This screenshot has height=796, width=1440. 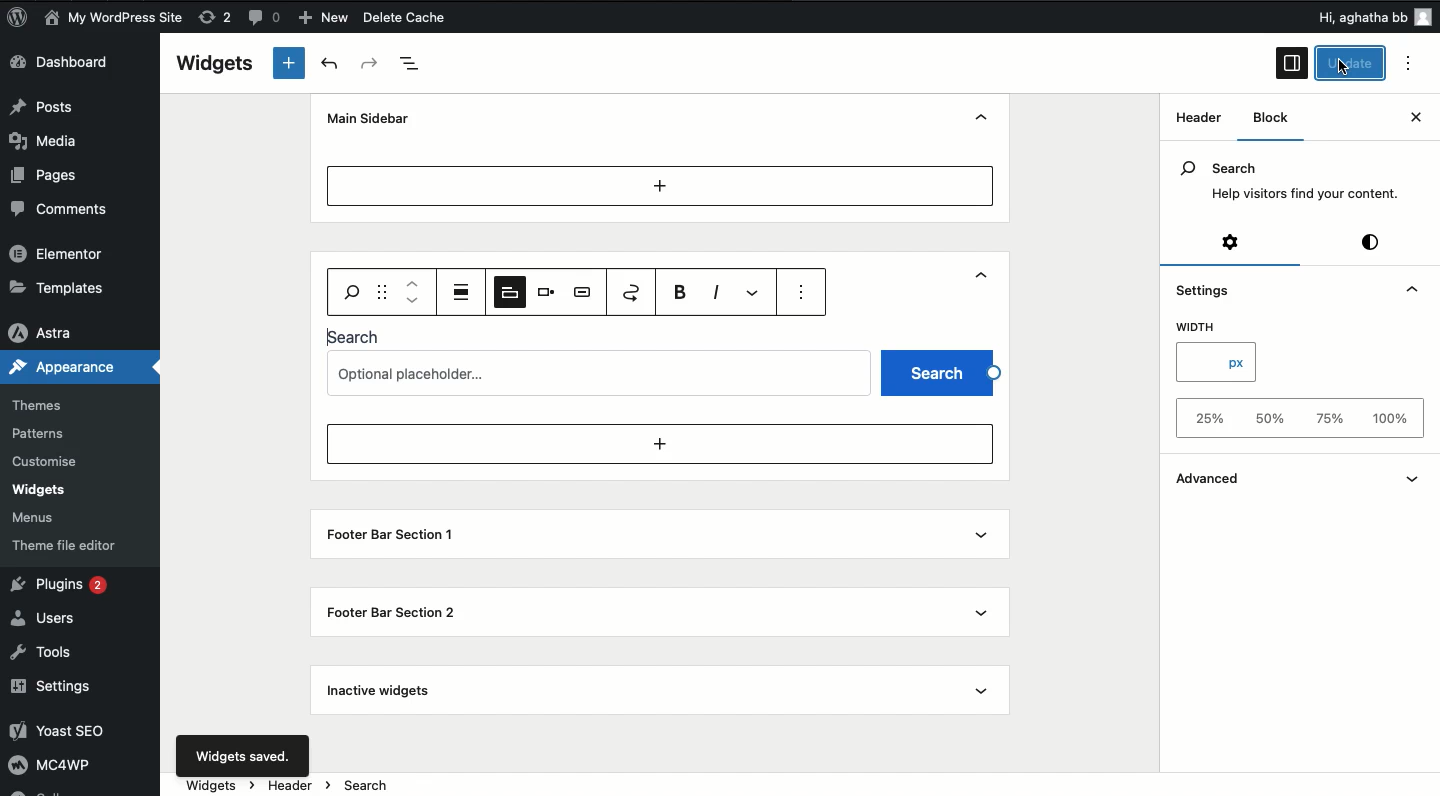 What do you see at coordinates (659, 444) in the screenshot?
I see `add new block` at bounding box center [659, 444].